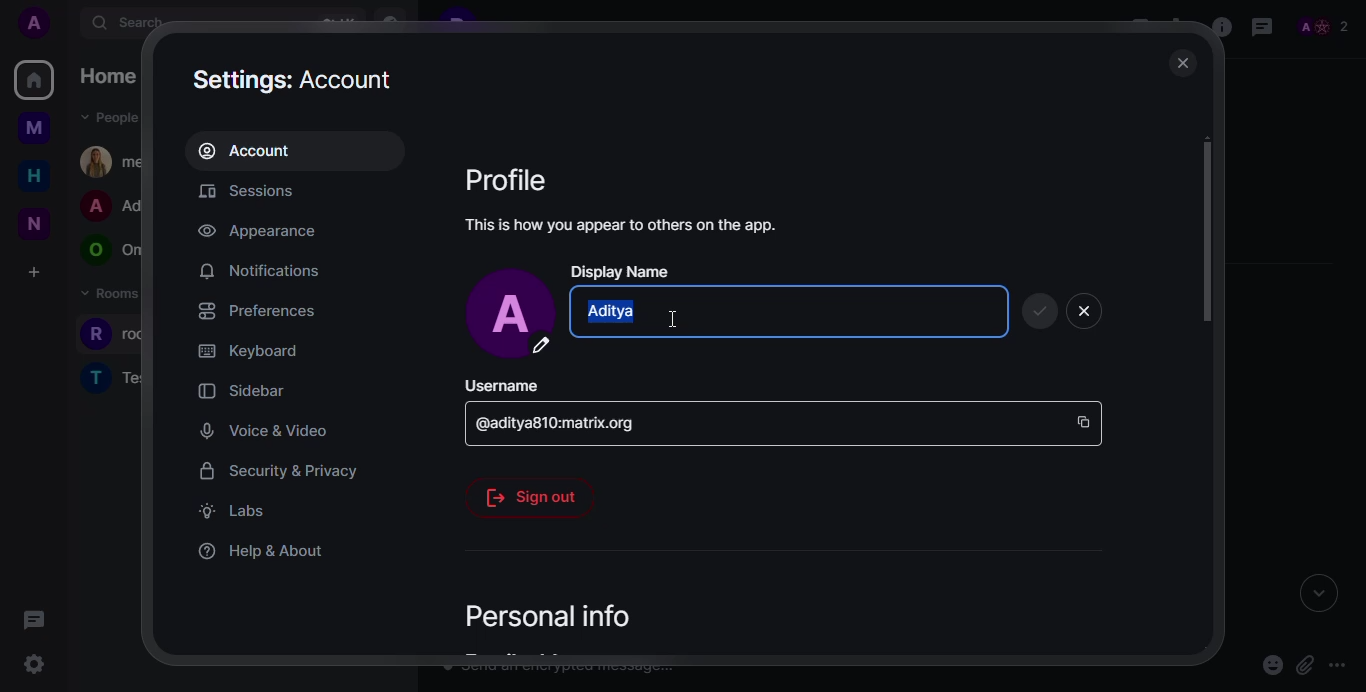 The height and width of the screenshot is (692, 1366). Describe the element at coordinates (109, 299) in the screenshot. I see `rooms` at that location.